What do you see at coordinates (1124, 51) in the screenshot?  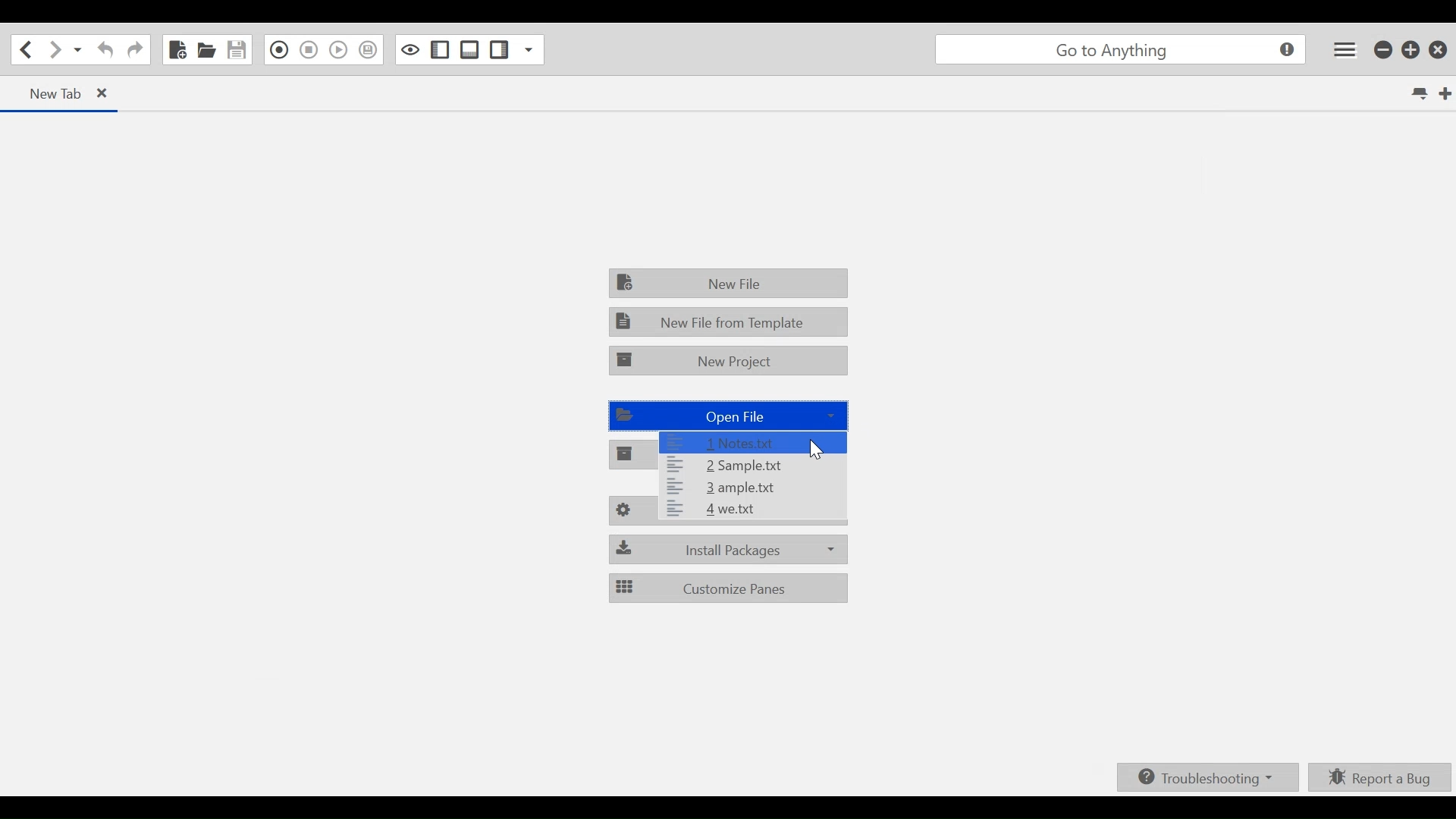 I see `go to anything` at bounding box center [1124, 51].